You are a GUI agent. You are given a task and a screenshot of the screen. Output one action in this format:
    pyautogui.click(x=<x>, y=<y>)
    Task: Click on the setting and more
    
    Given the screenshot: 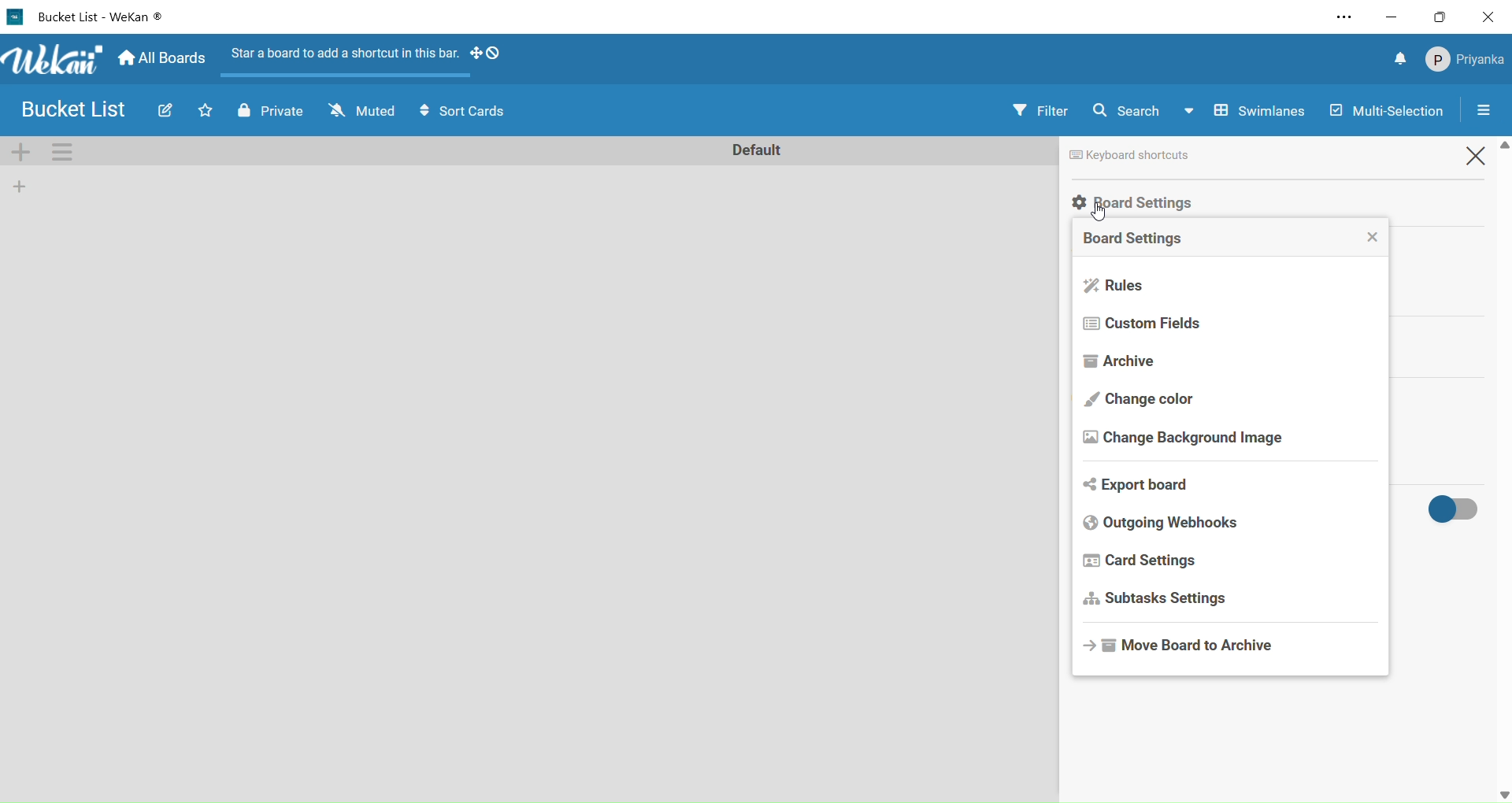 What is the action you would take?
    pyautogui.click(x=1344, y=19)
    